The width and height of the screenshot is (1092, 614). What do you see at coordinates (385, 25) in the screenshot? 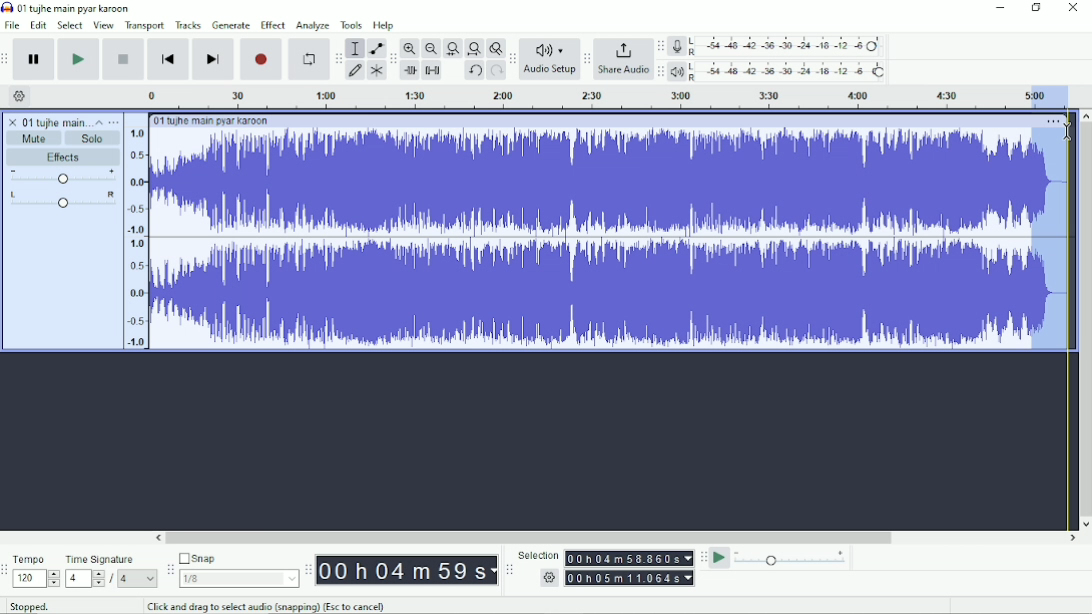
I see `Help` at bounding box center [385, 25].